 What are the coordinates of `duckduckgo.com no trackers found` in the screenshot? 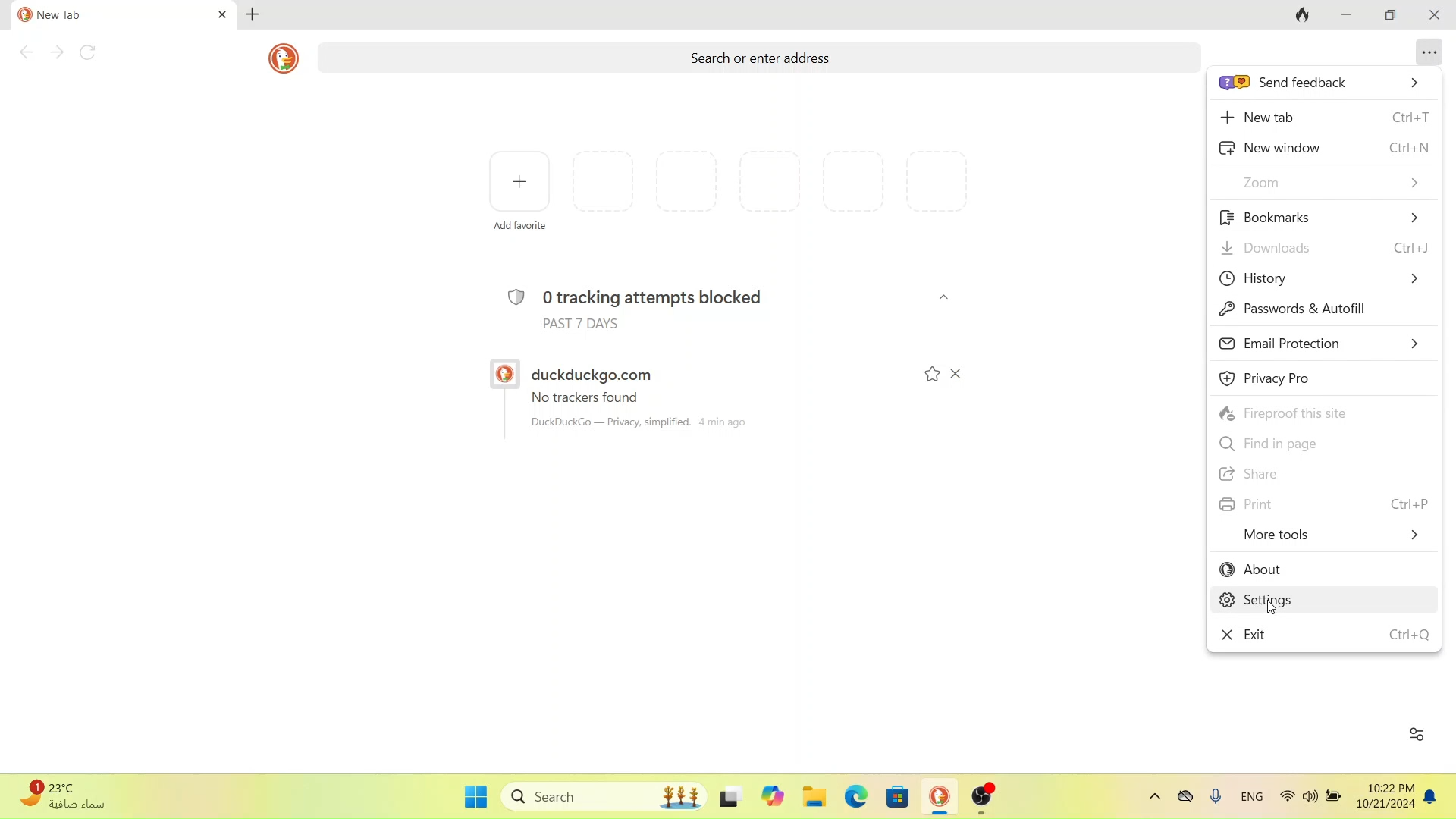 It's located at (674, 393).